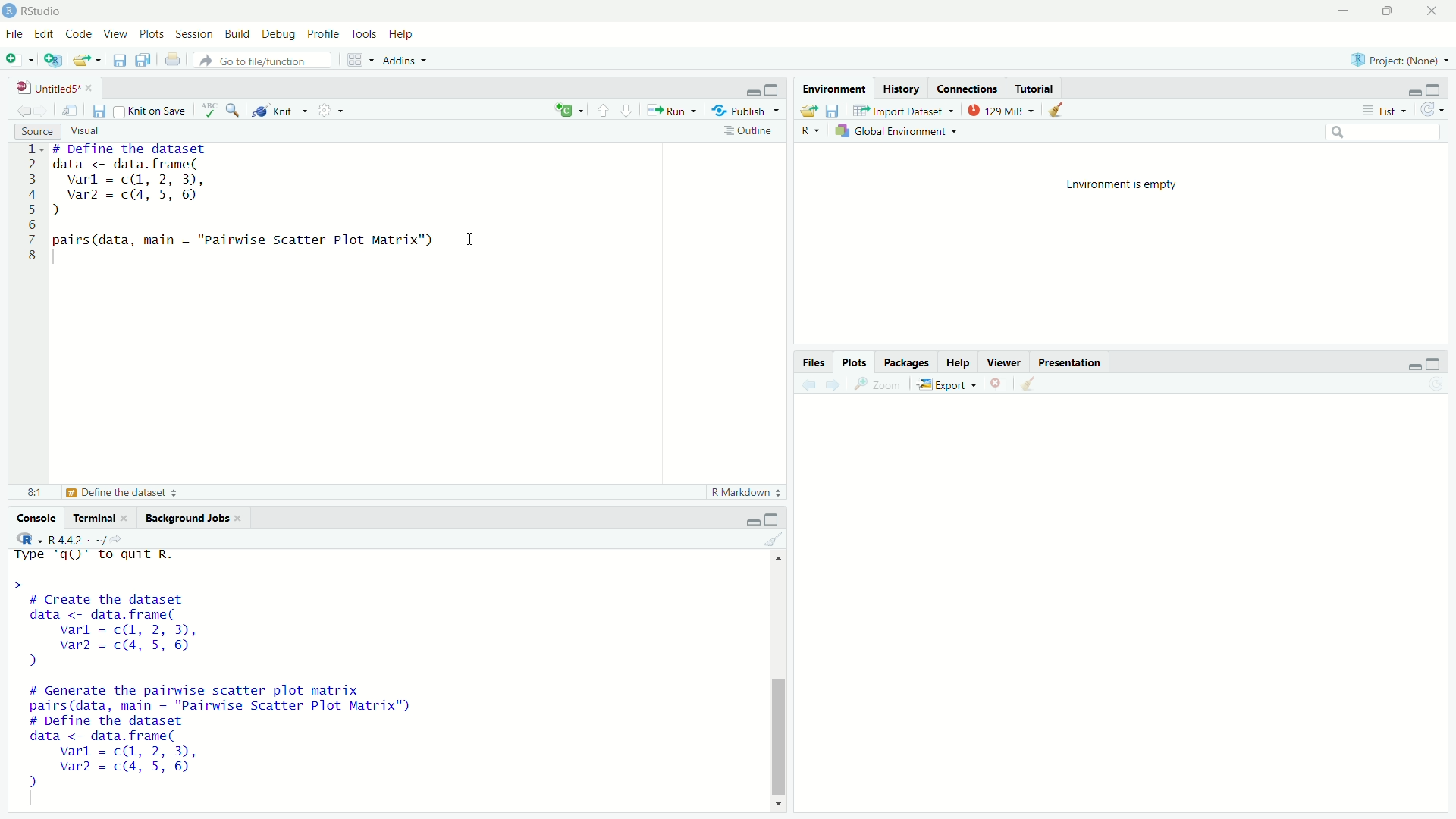  What do you see at coordinates (325, 34) in the screenshot?
I see `Profile` at bounding box center [325, 34].